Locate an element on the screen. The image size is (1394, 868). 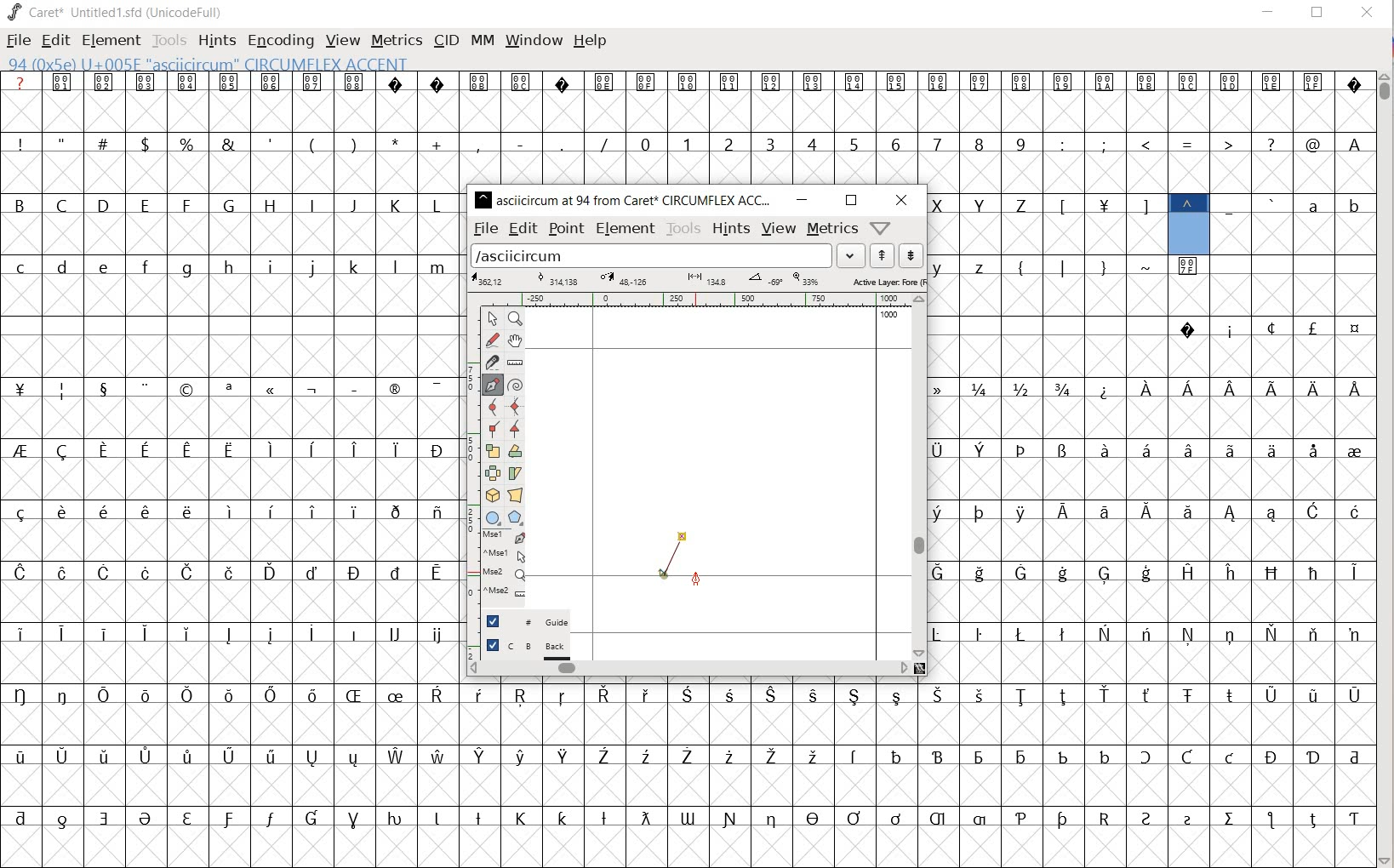
mse1 mse1 mse2 mse2 is located at coordinates (498, 565).